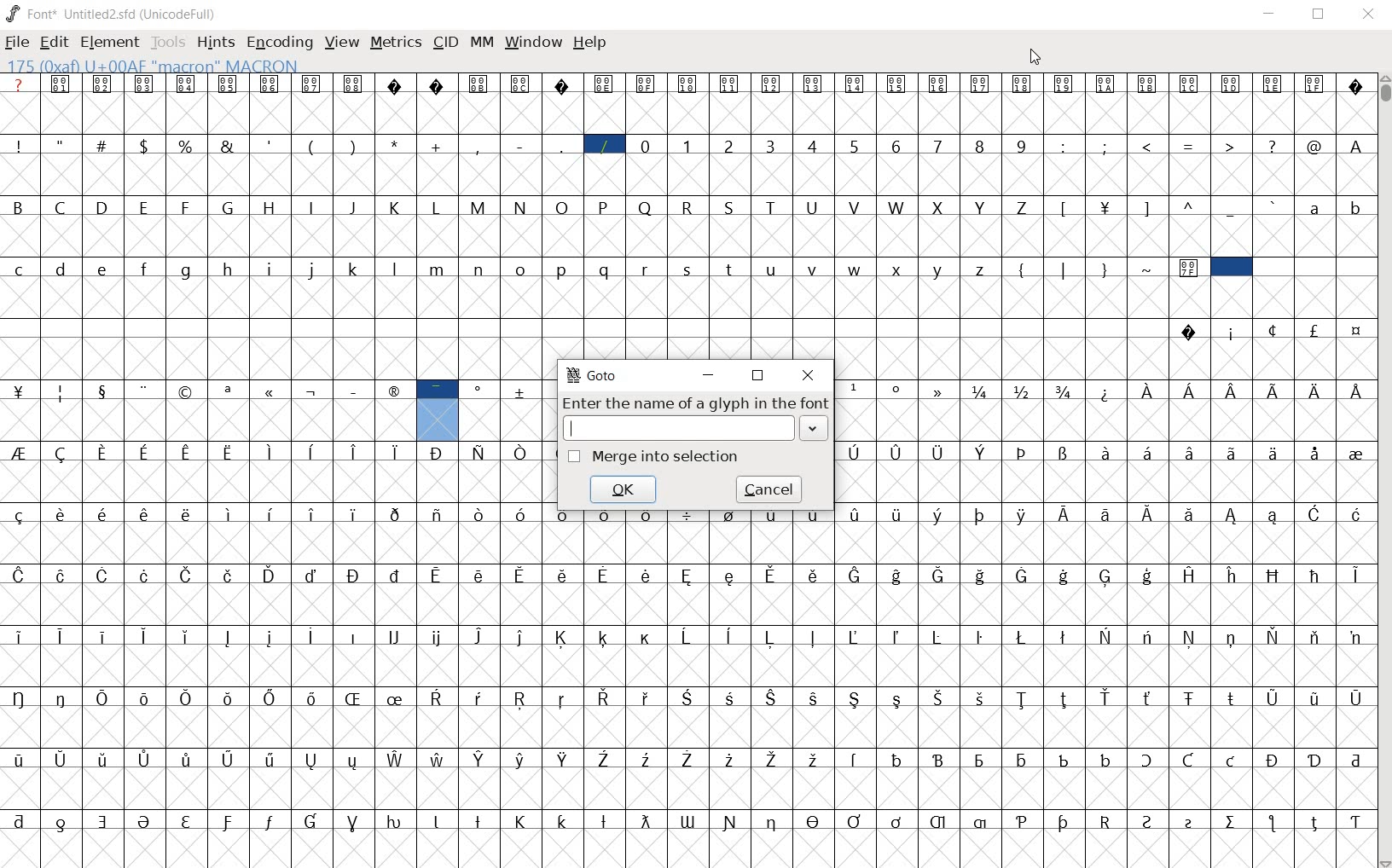  Describe the element at coordinates (395, 44) in the screenshot. I see `METRICS` at that location.